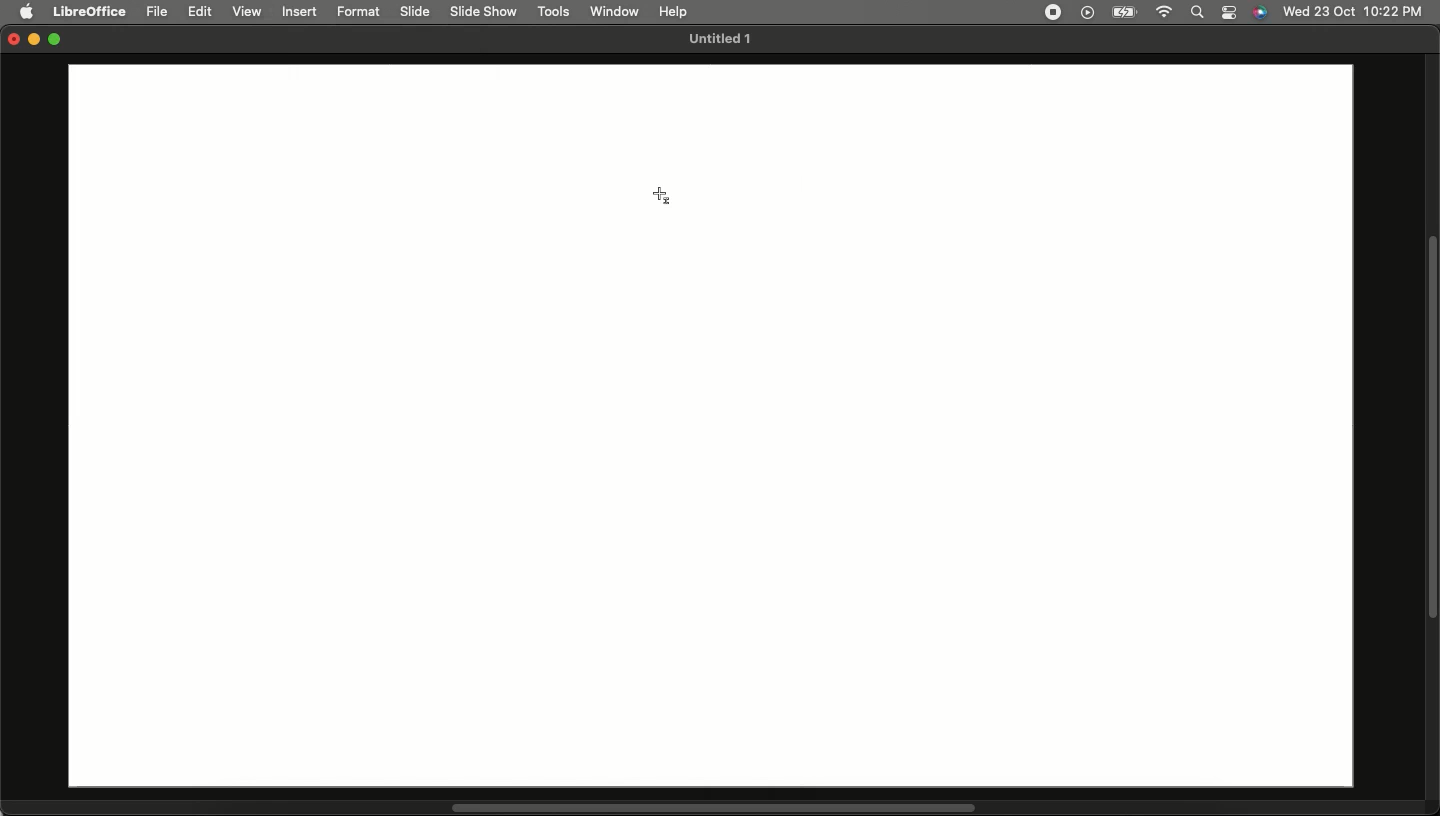 The width and height of the screenshot is (1440, 816). Describe the element at coordinates (1085, 13) in the screenshot. I see `Video player` at that location.